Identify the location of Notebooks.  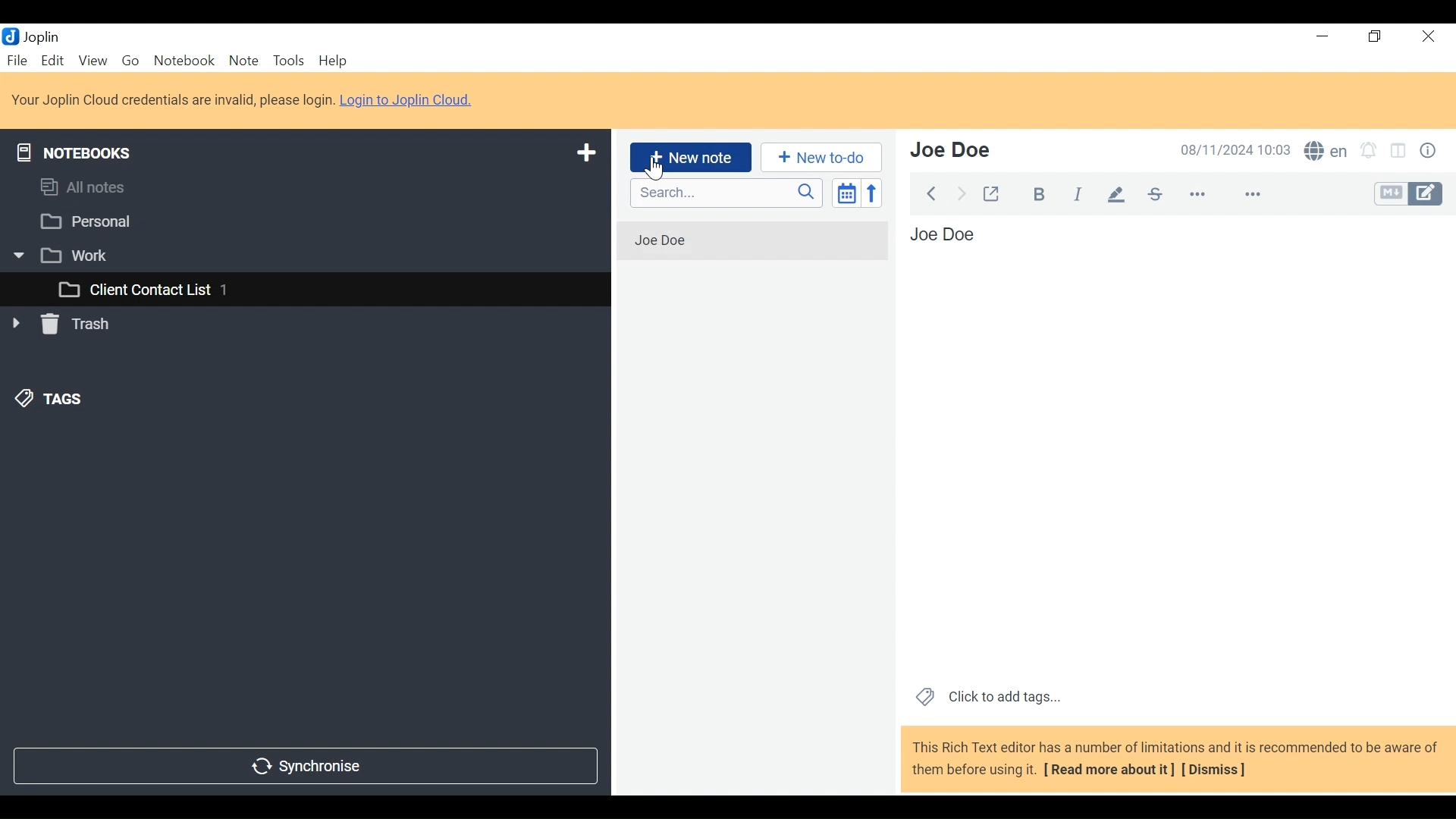
(78, 150).